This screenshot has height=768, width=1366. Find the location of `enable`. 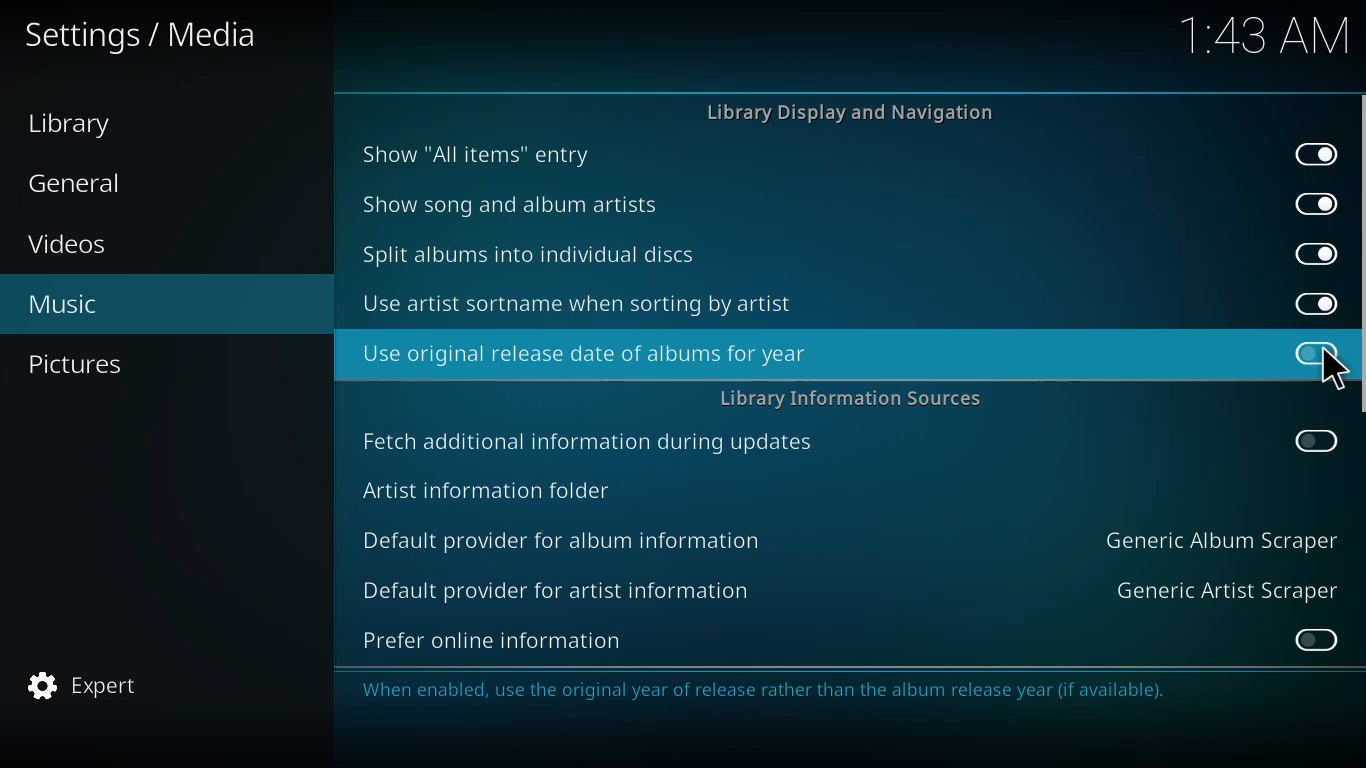

enable is located at coordinates (1314, 639).